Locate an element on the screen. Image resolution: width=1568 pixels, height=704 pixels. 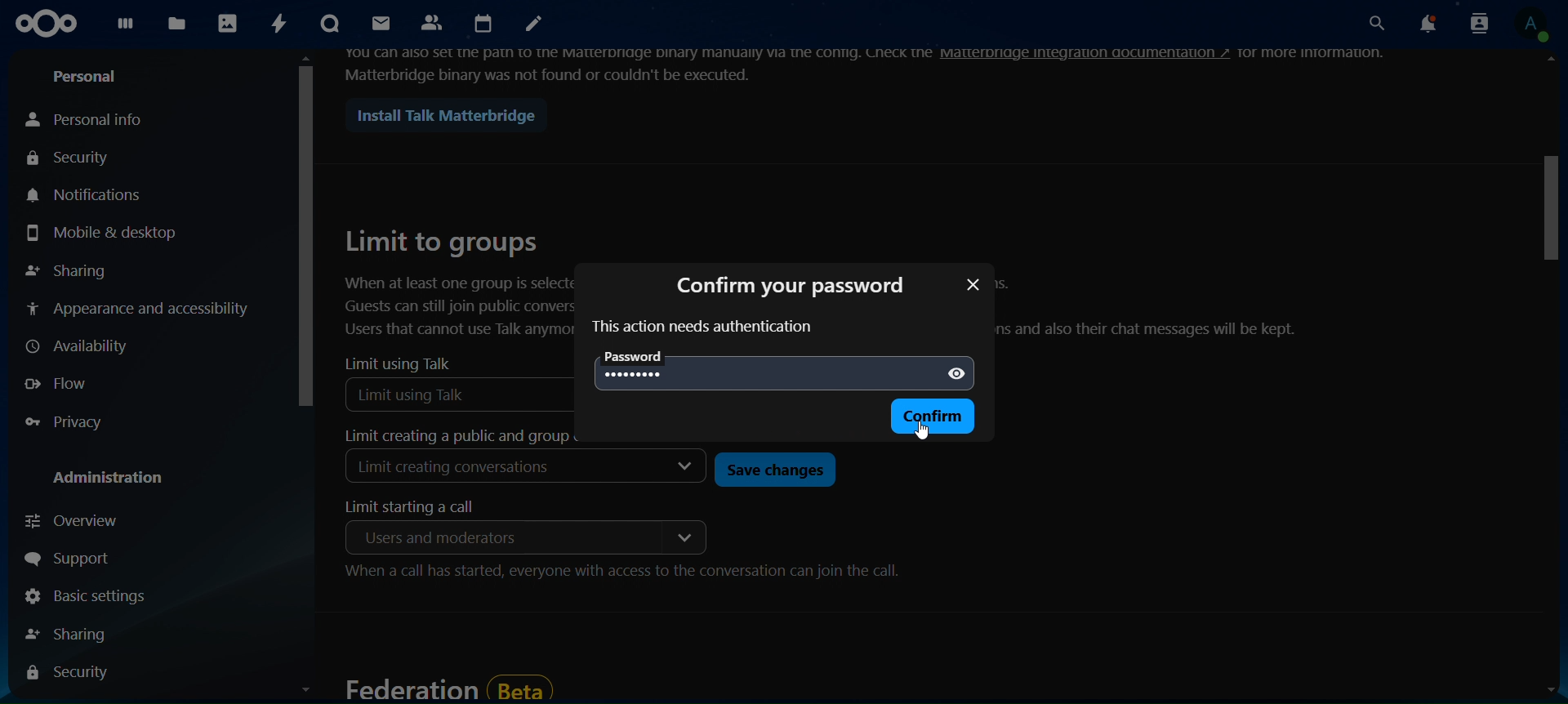
confirm is located at coordinates (937, 417).